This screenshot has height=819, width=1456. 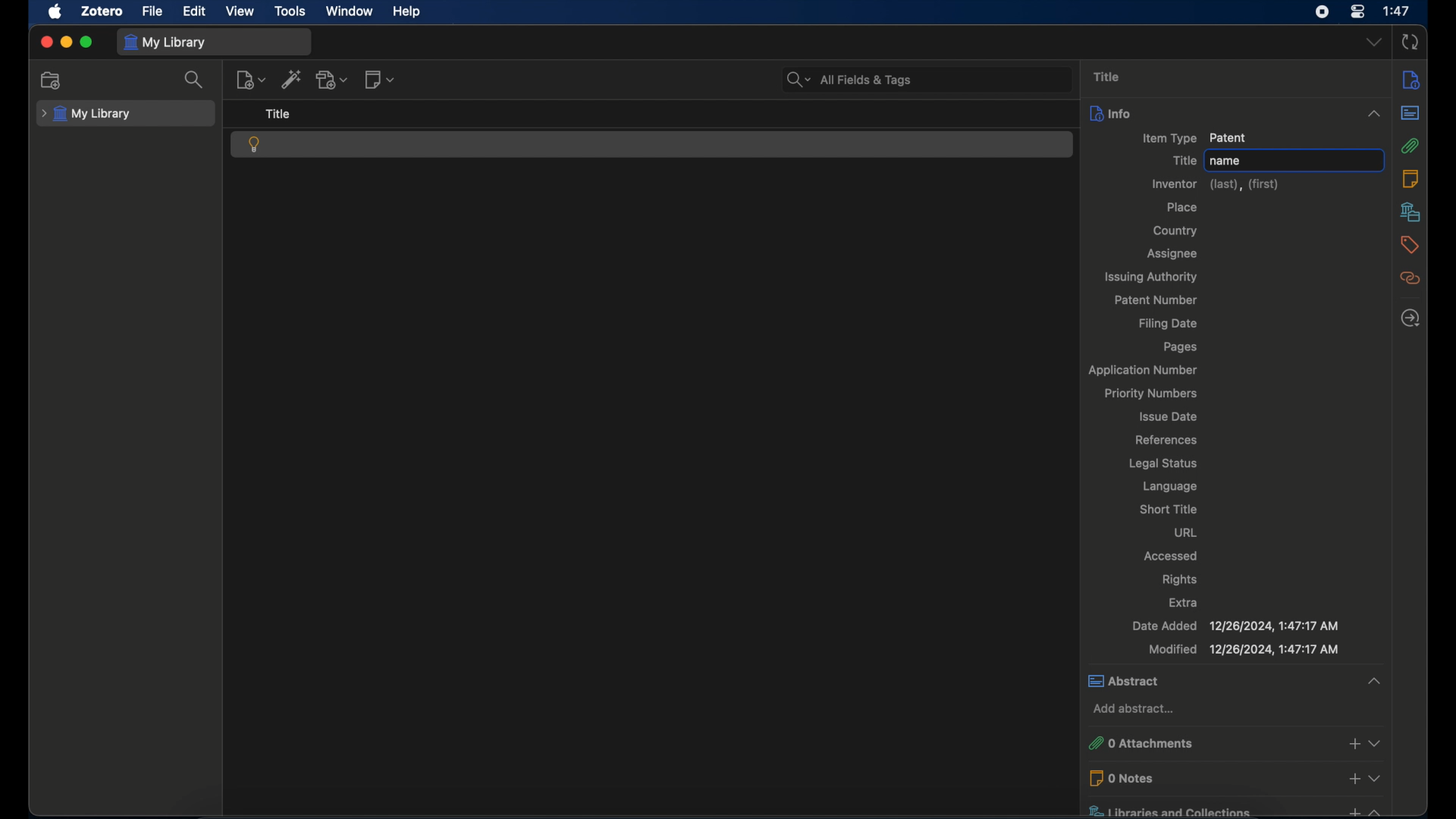 What do you see at coordinates (1205, 778) in the screenshot?
I see `0 notes` at bounding box center [1205, 778].